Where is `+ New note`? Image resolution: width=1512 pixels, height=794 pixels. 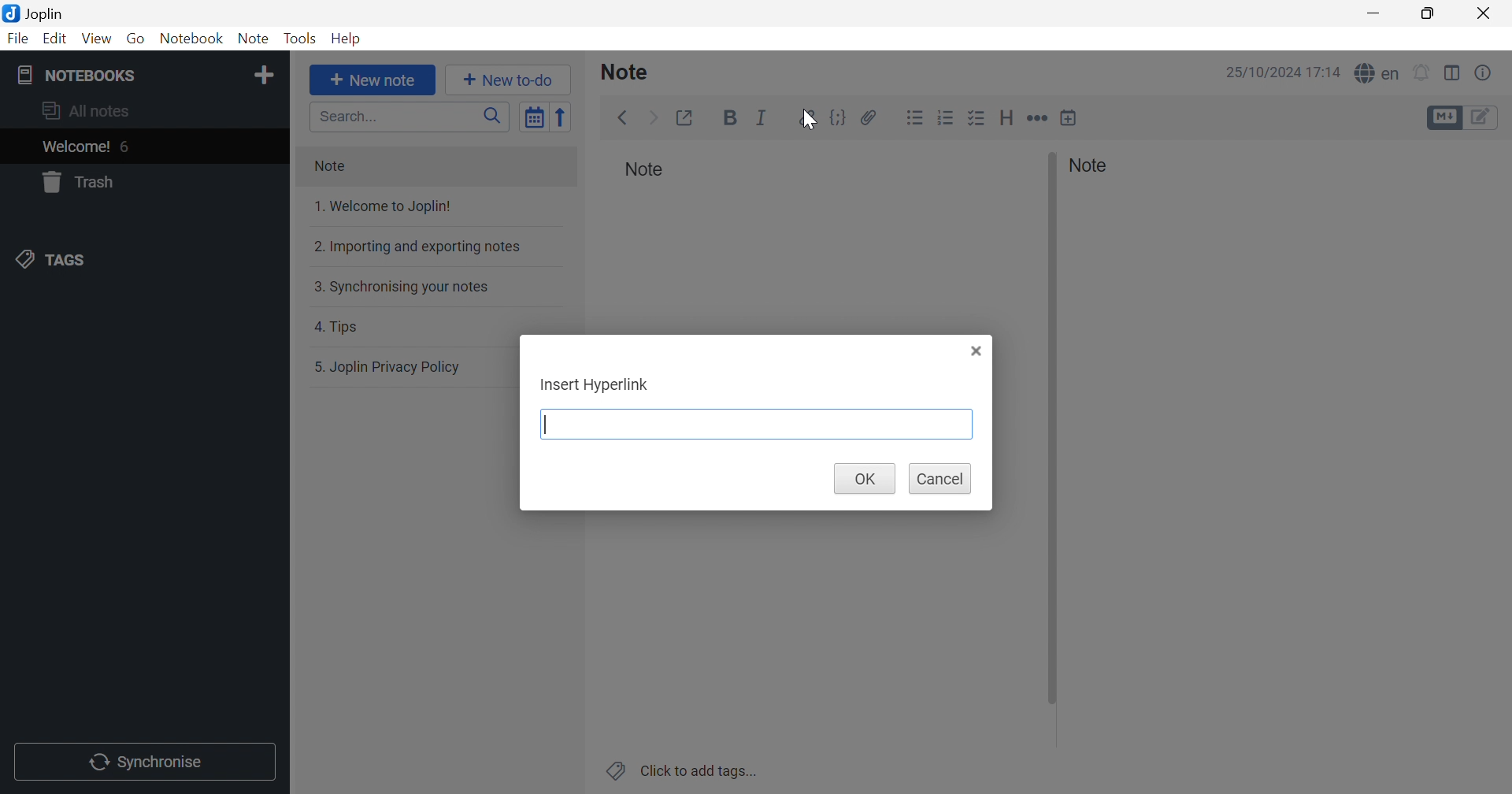 + New note is located at coordinates (373, 80).